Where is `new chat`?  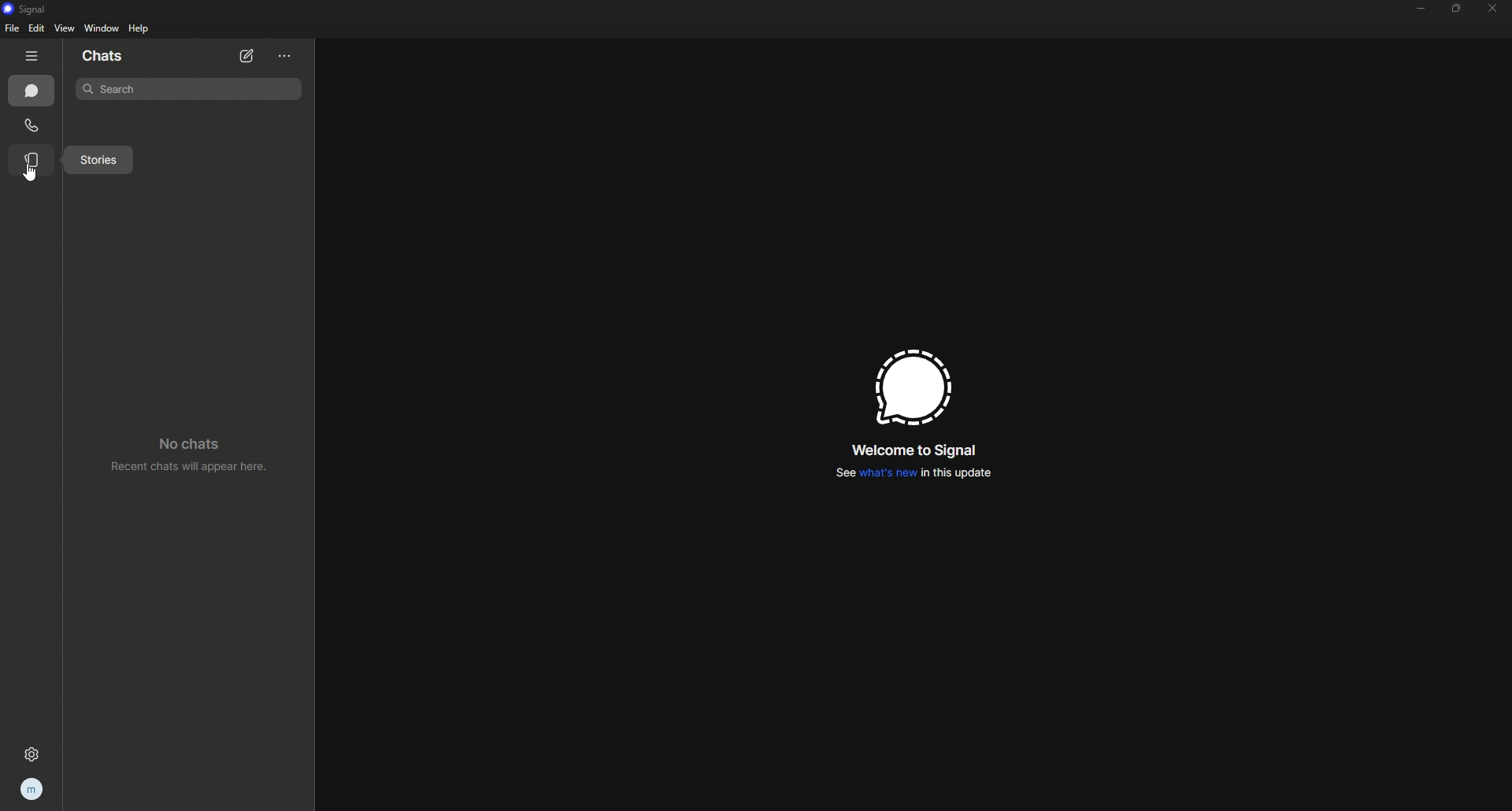 new chat is located at coordinates (248, 57).